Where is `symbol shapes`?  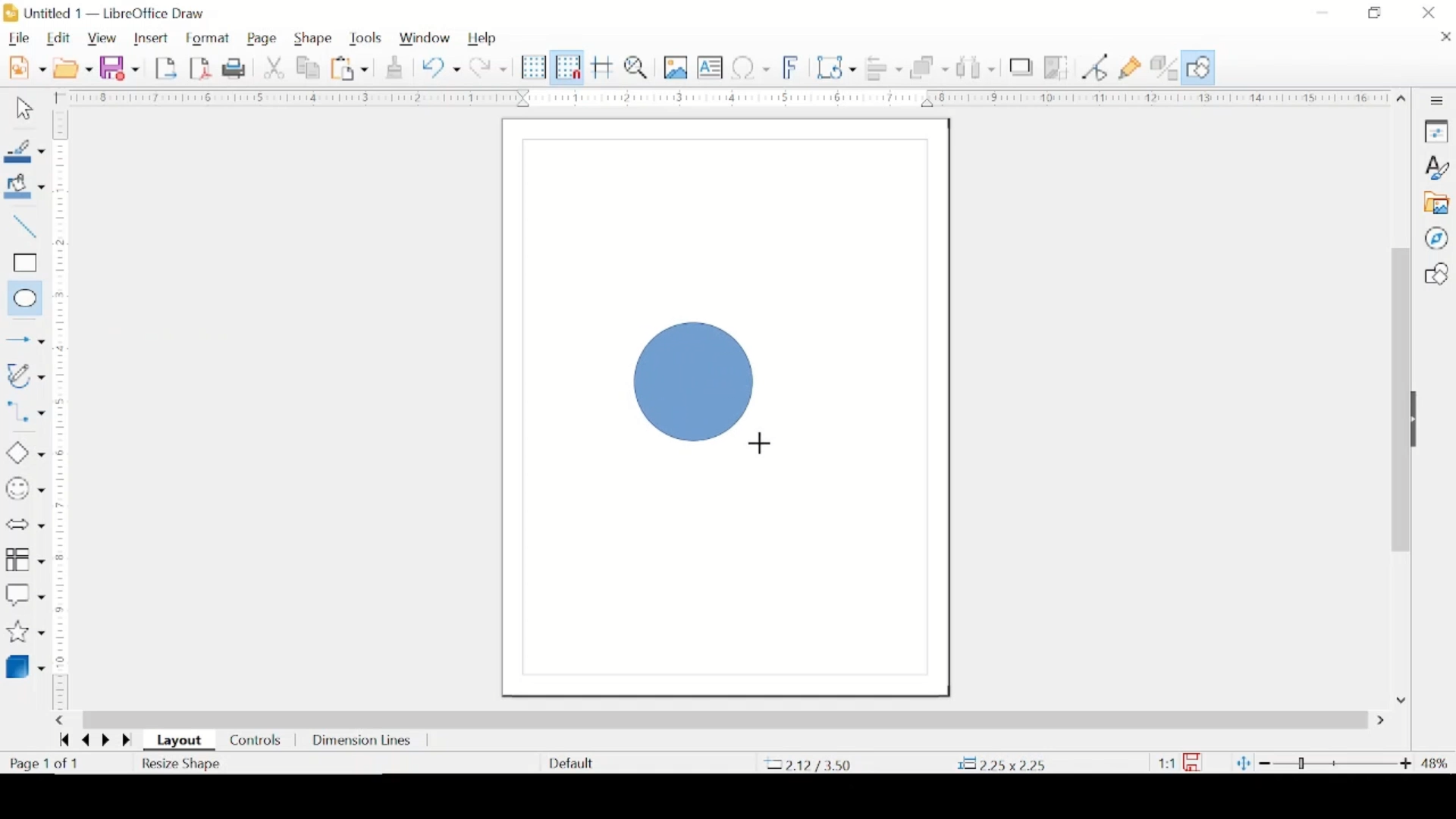 symbol shapes is located at coordinates (25, 489).